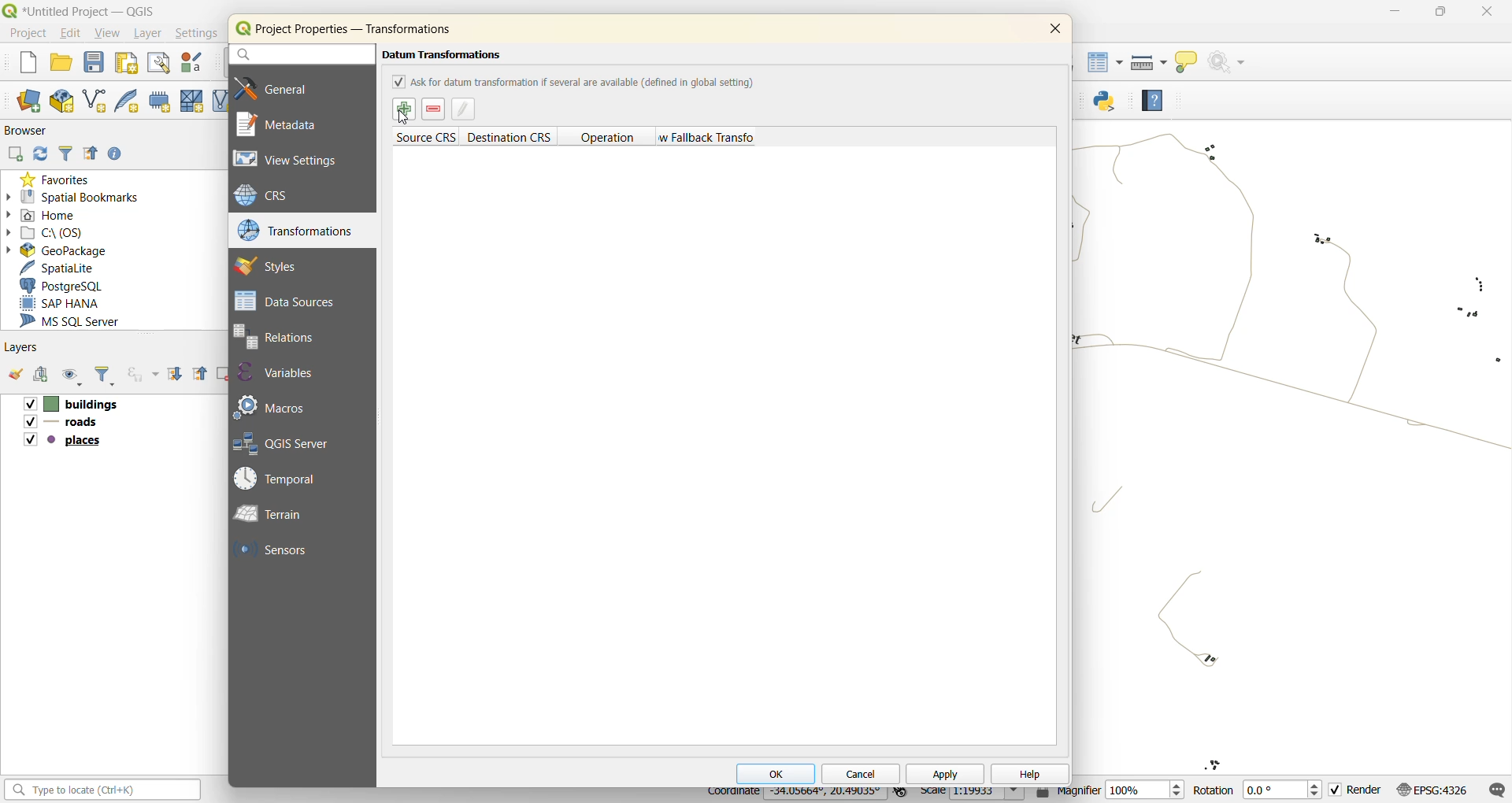  I want to click on help, so click(1152, 98).